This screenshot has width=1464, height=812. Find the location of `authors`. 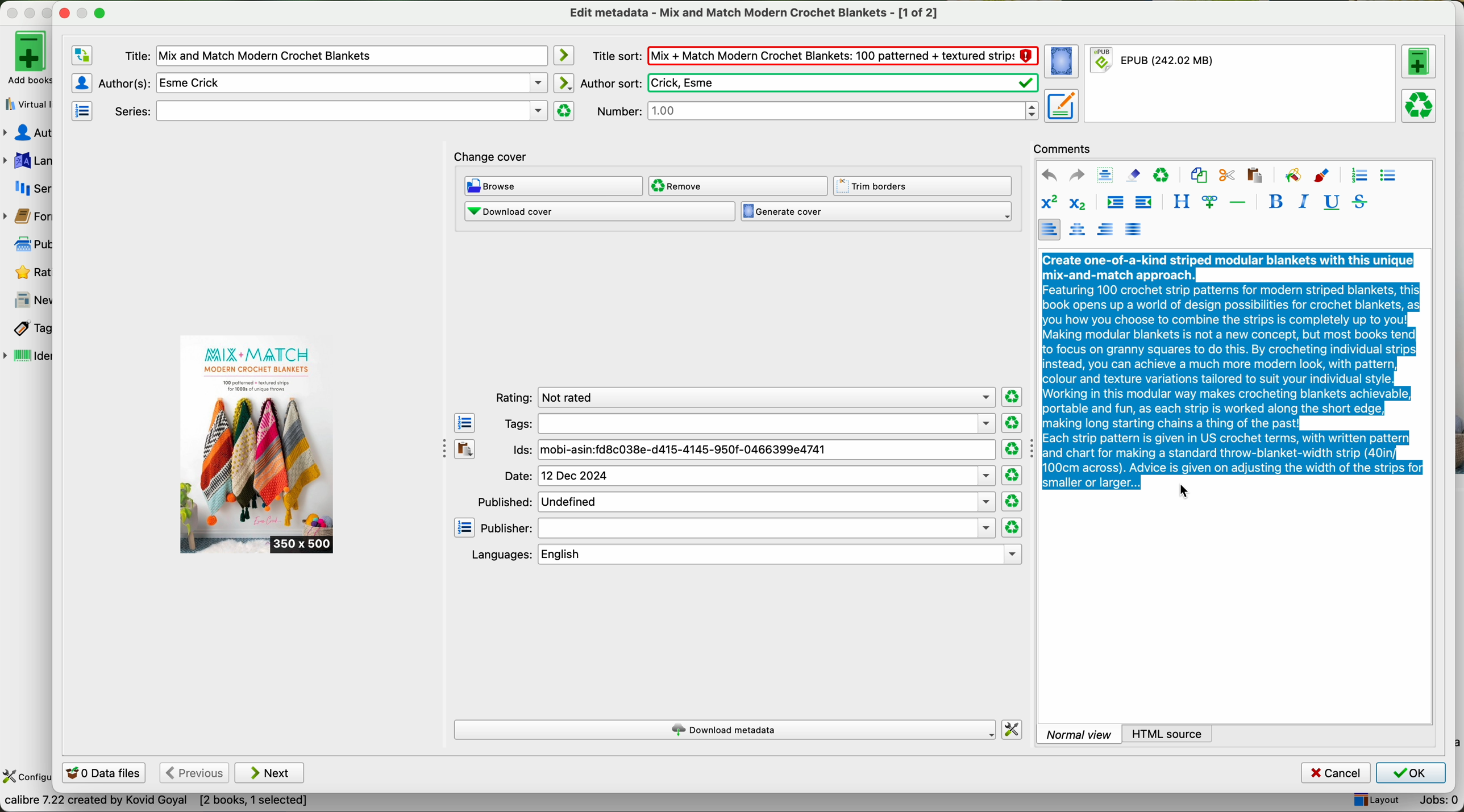

authors is located at coordinates (27, 133).